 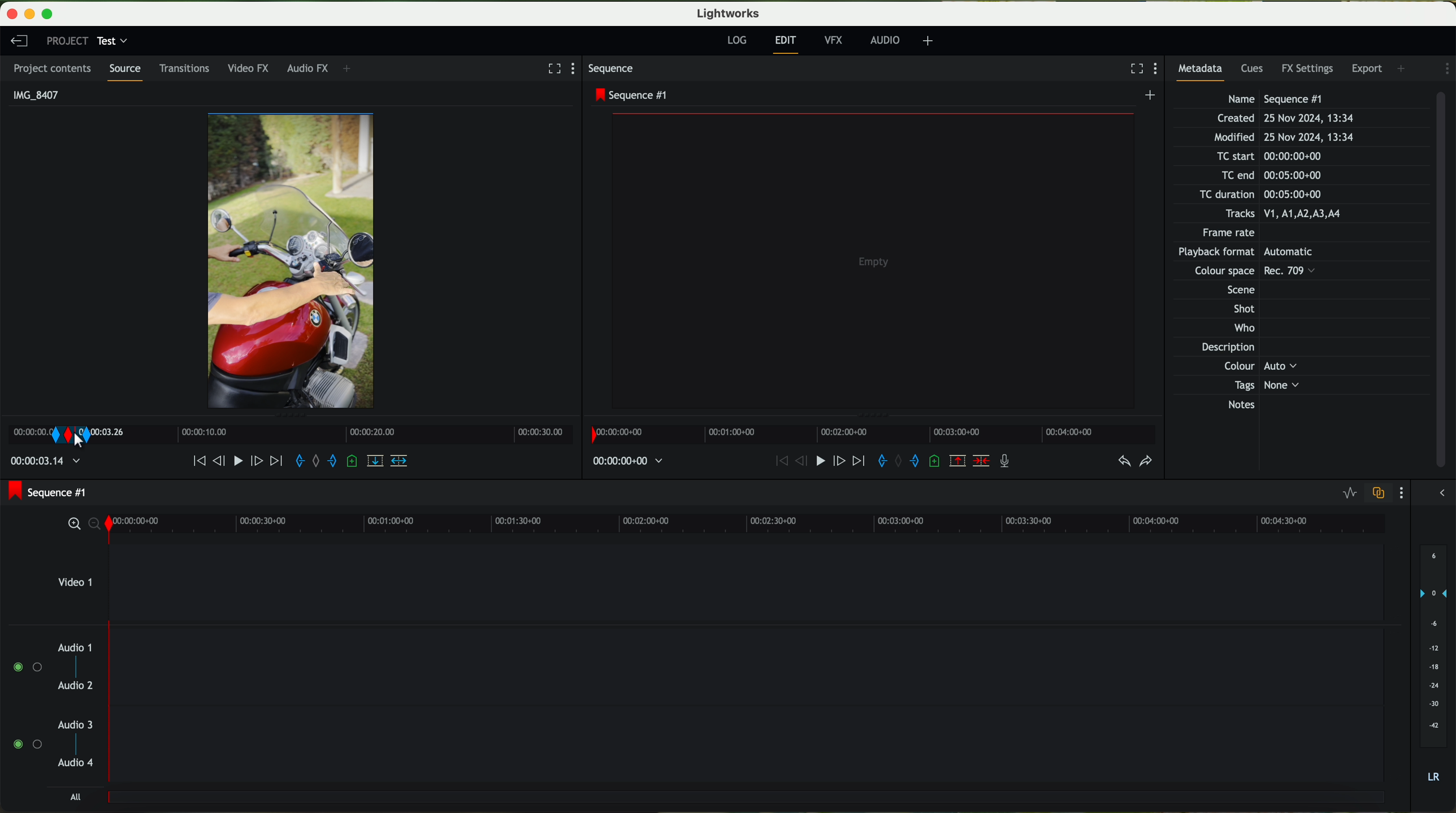 What do you see at coordinates (25, 706) in the screenshot?
I see `enable audio tracks` at bounding box center [25, 706].